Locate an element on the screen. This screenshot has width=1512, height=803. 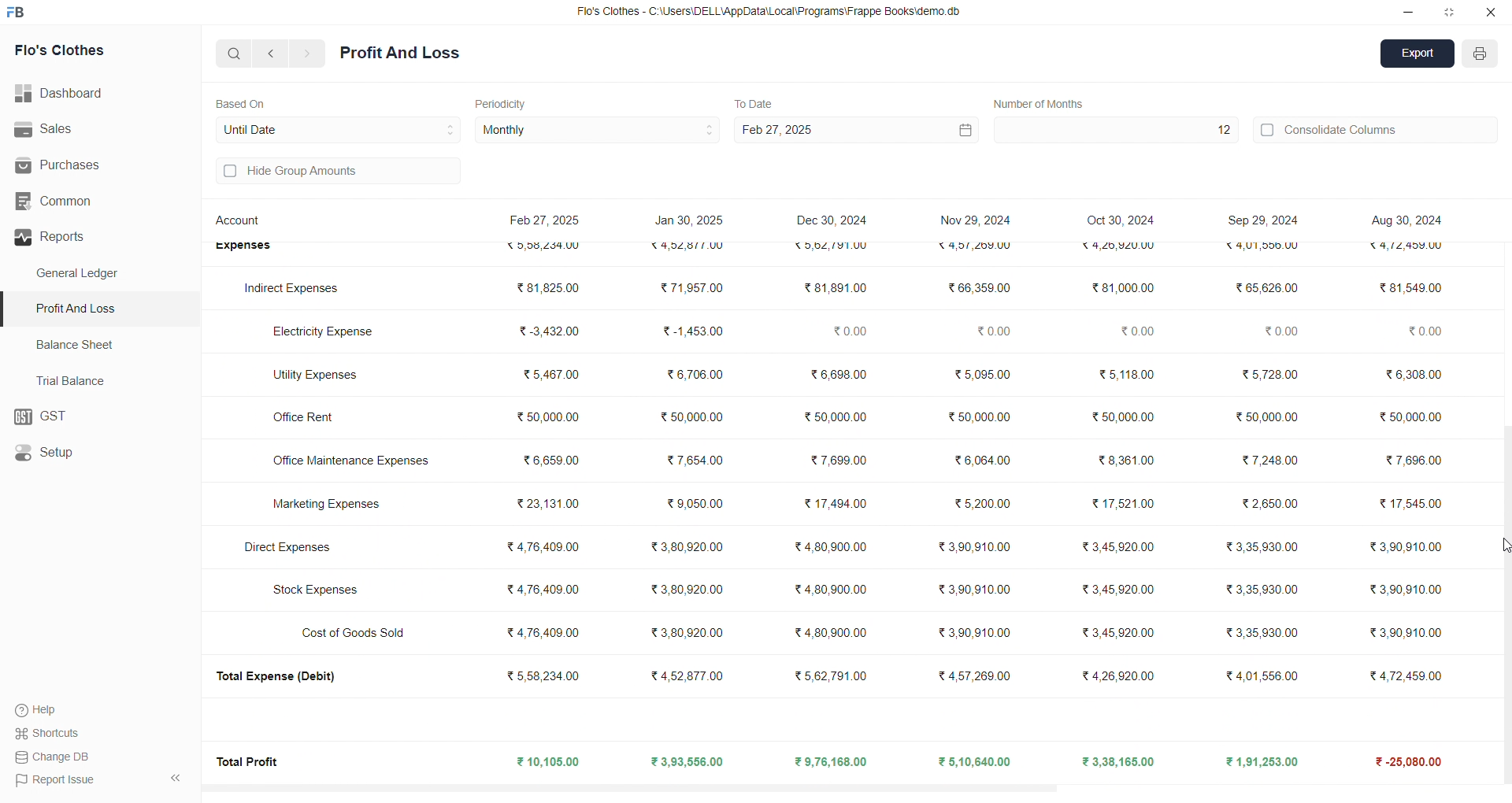
Common is located at coordinates (80, 202).